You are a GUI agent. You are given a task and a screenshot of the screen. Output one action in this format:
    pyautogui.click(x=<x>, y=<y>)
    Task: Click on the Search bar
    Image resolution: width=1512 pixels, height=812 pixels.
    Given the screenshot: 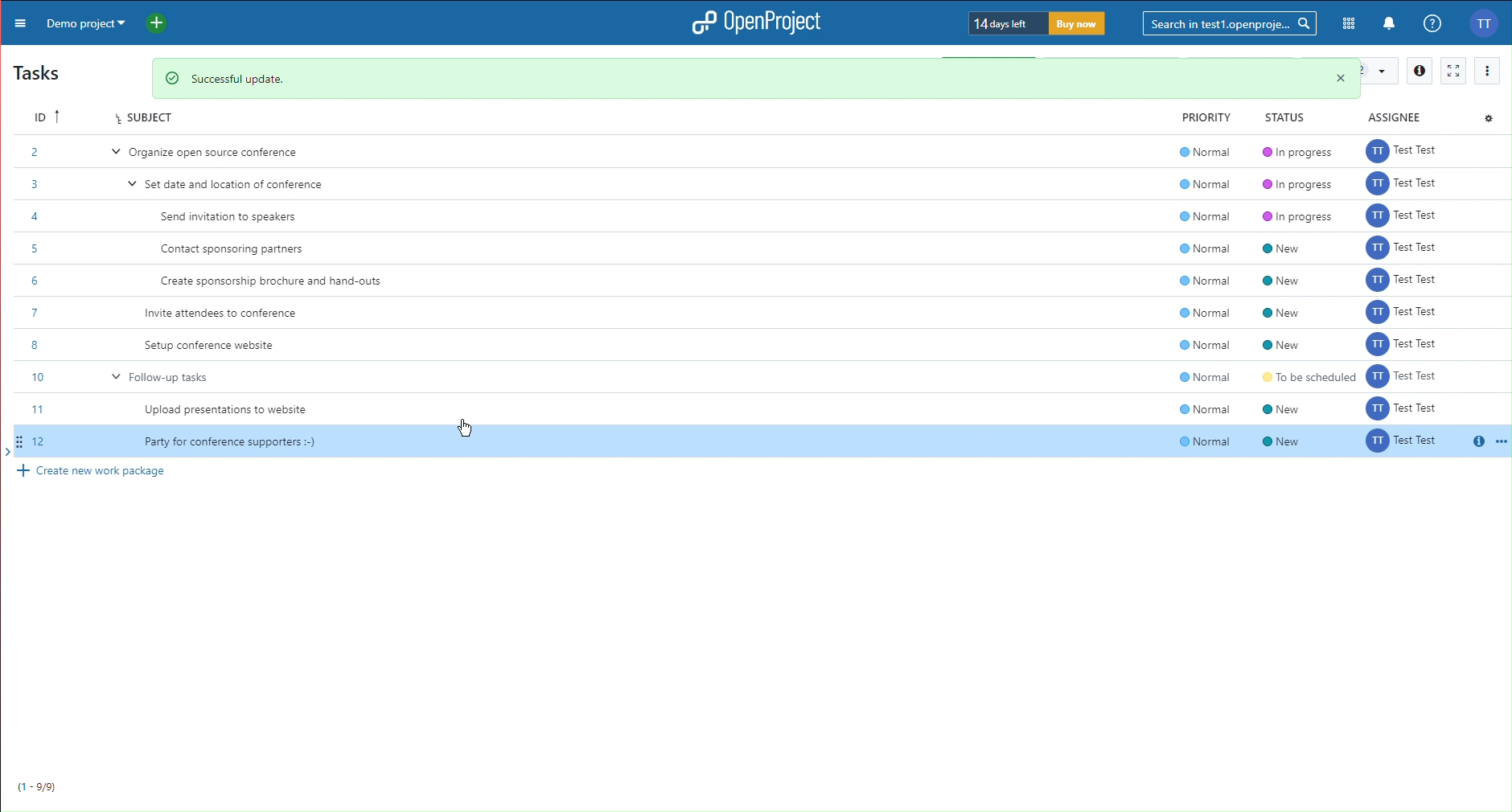 What is the action you would take?
    pyautogui.click(x=1231, y=23)
    